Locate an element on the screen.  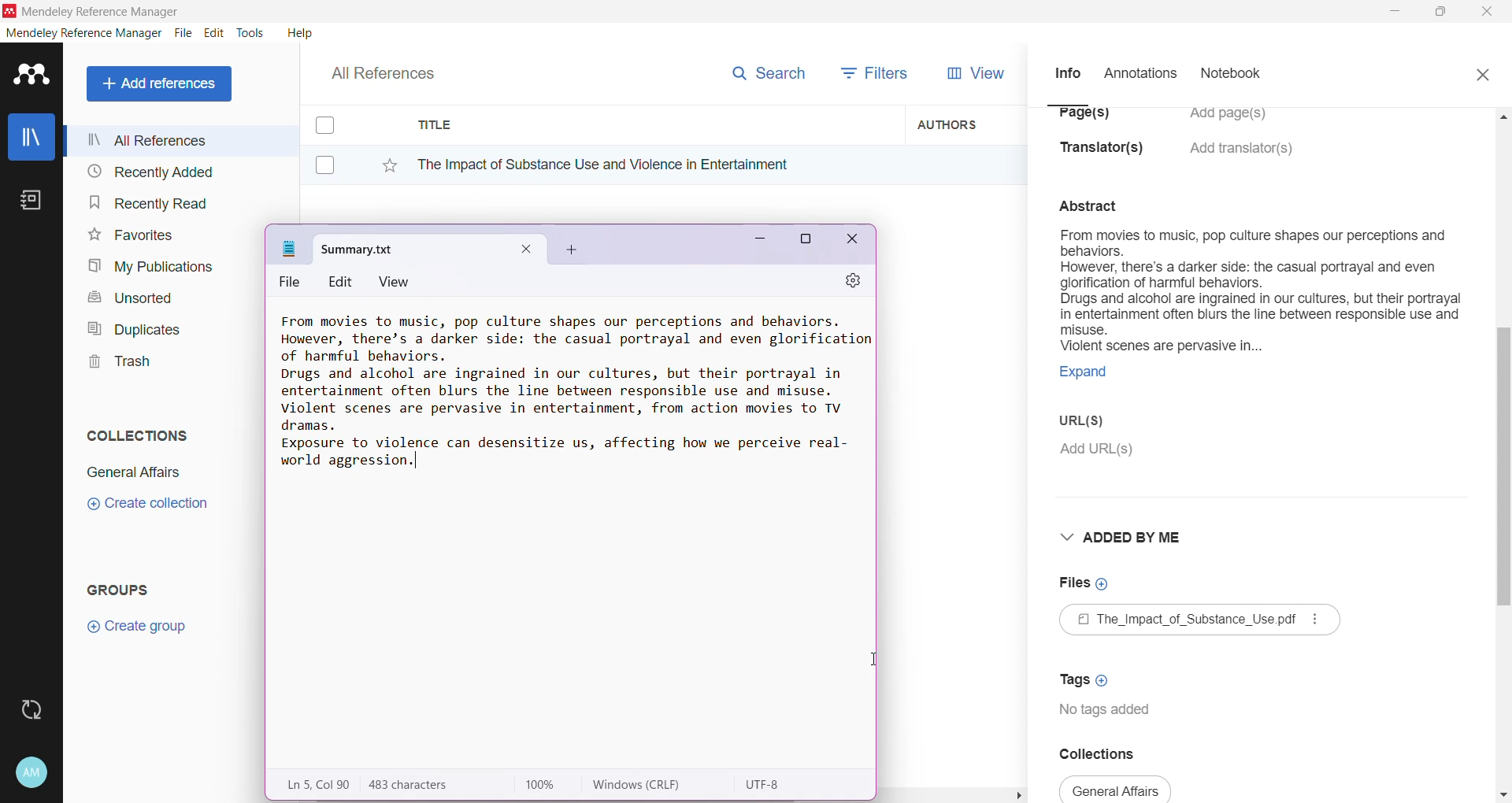
Maximize is located at coordinates (806, 242).